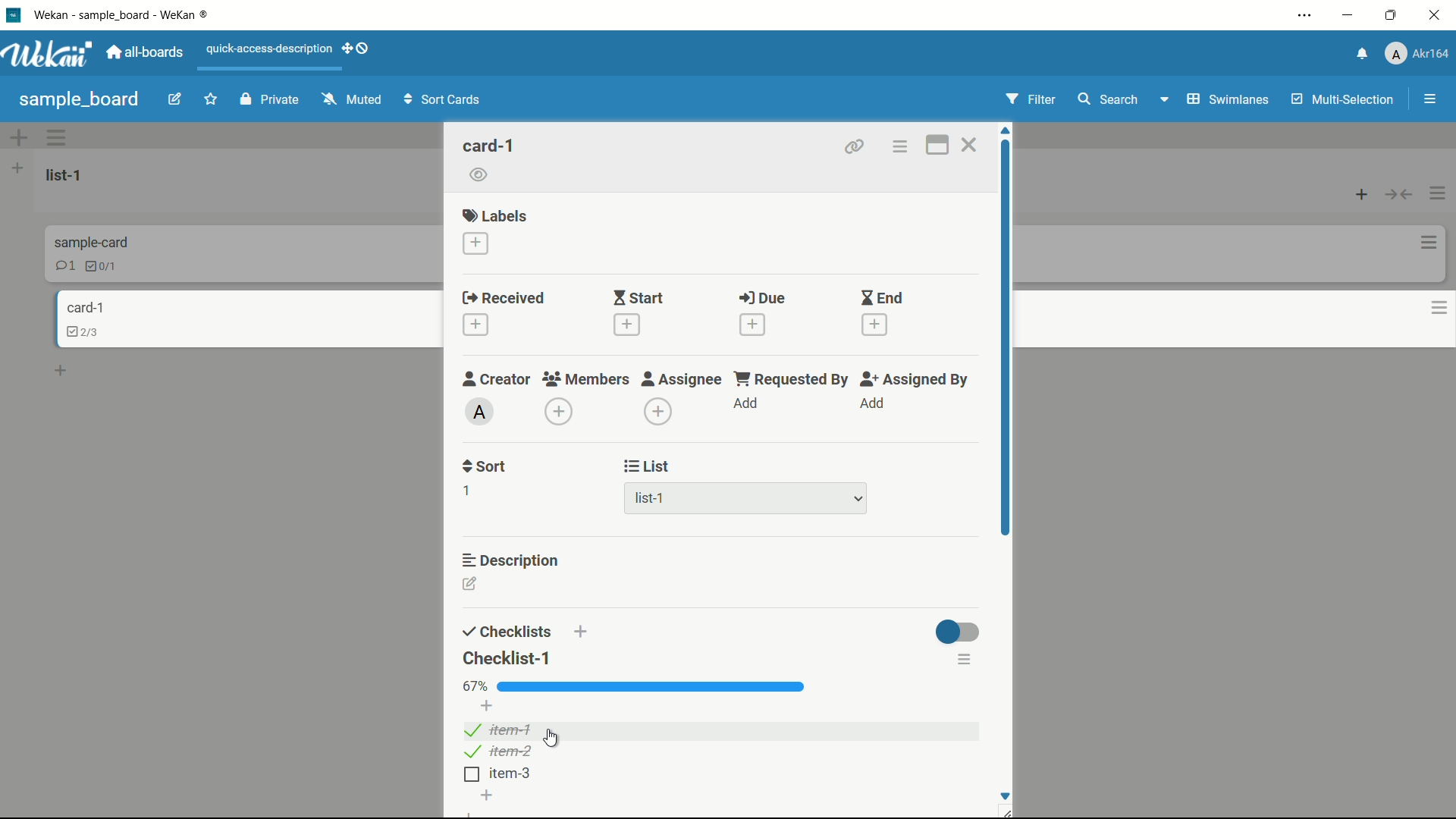  Describe the element at coordinates (58, 137) in the screenshot. I see `swimlane actions` at that location.